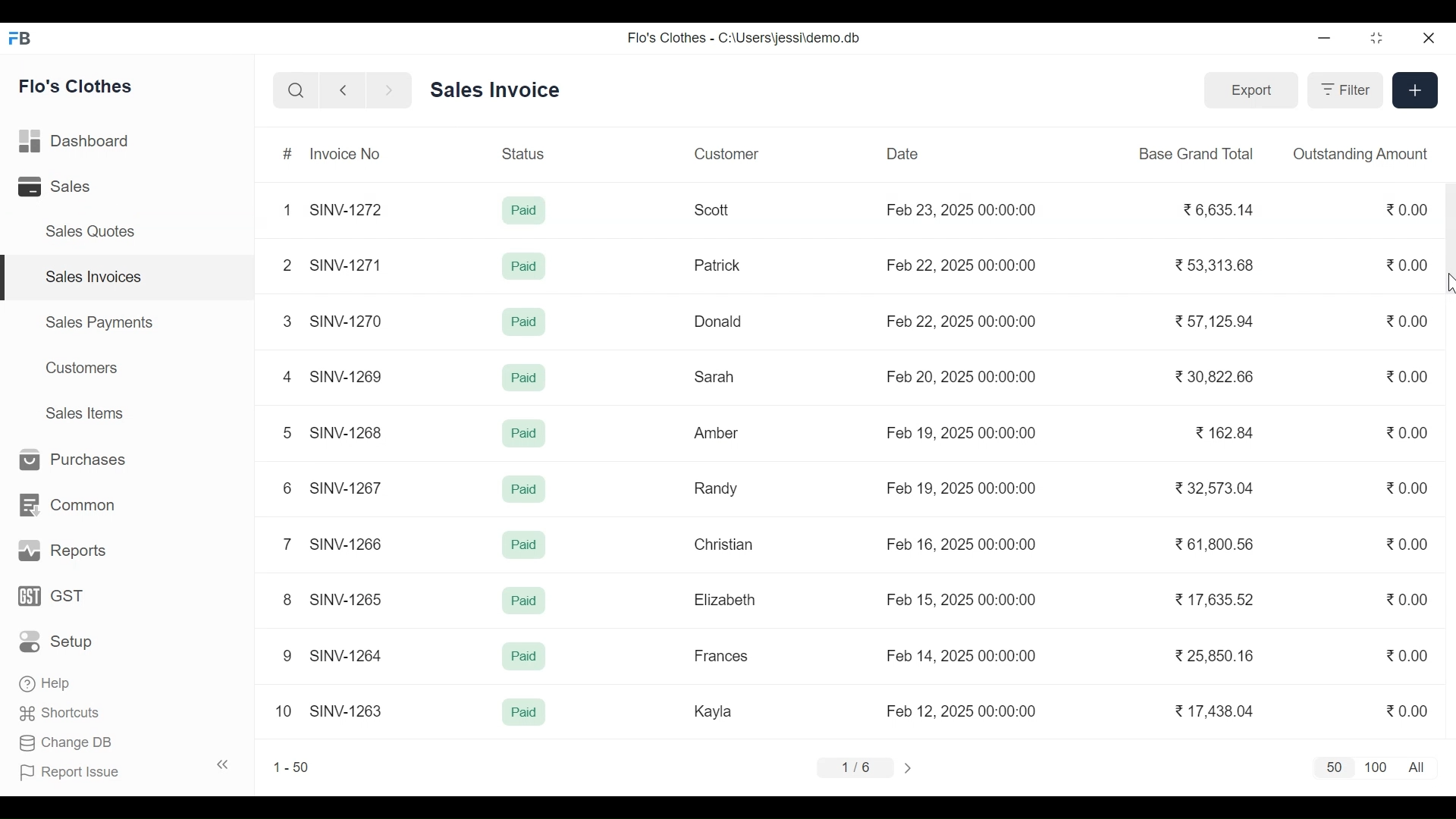 The width and height of the screenshot is (1456, 819). I want to click on Go Forward, so click(385, 91).